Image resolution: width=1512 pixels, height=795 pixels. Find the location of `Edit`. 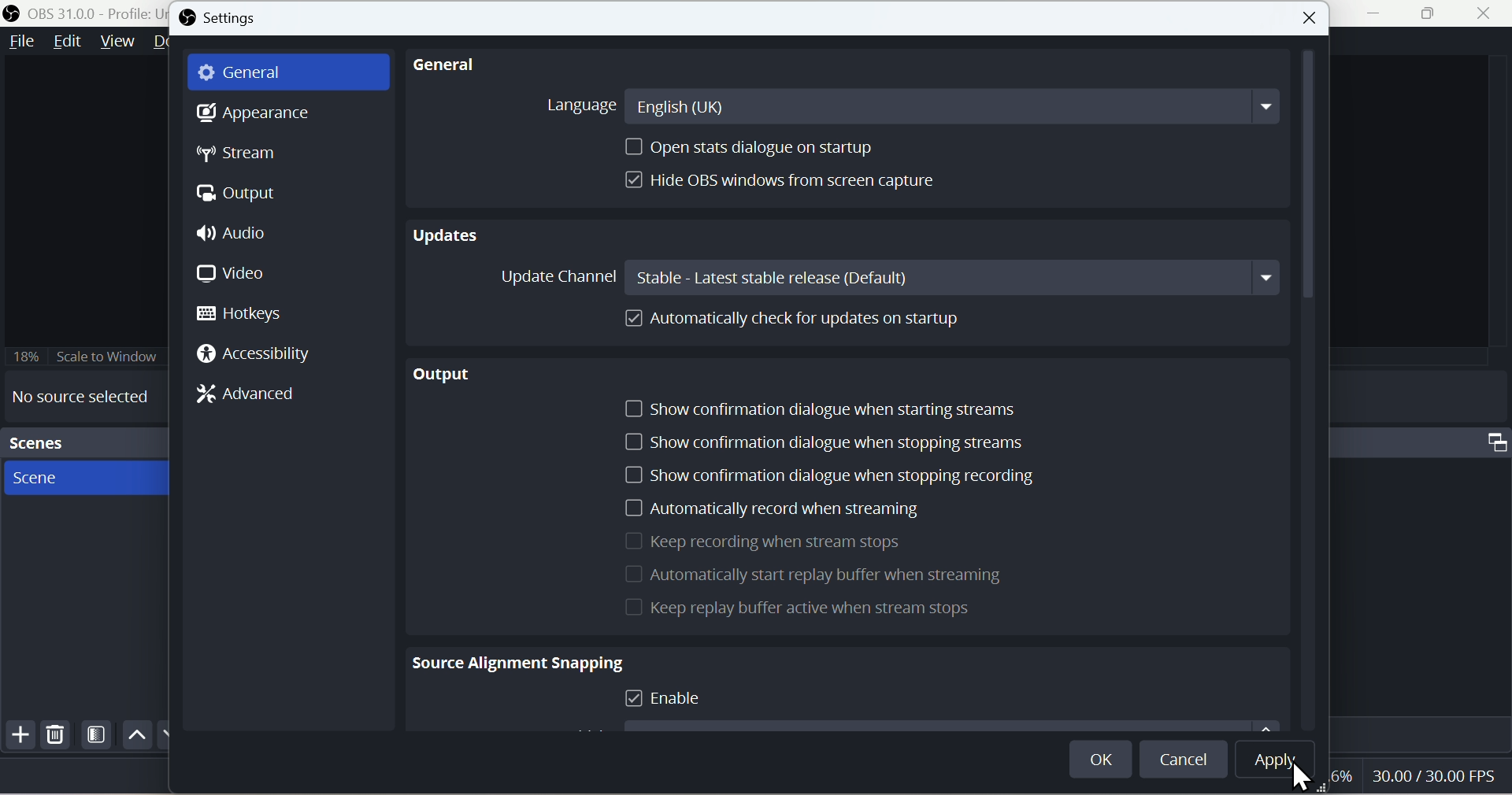

Edit is located at coordinates (66, 46).